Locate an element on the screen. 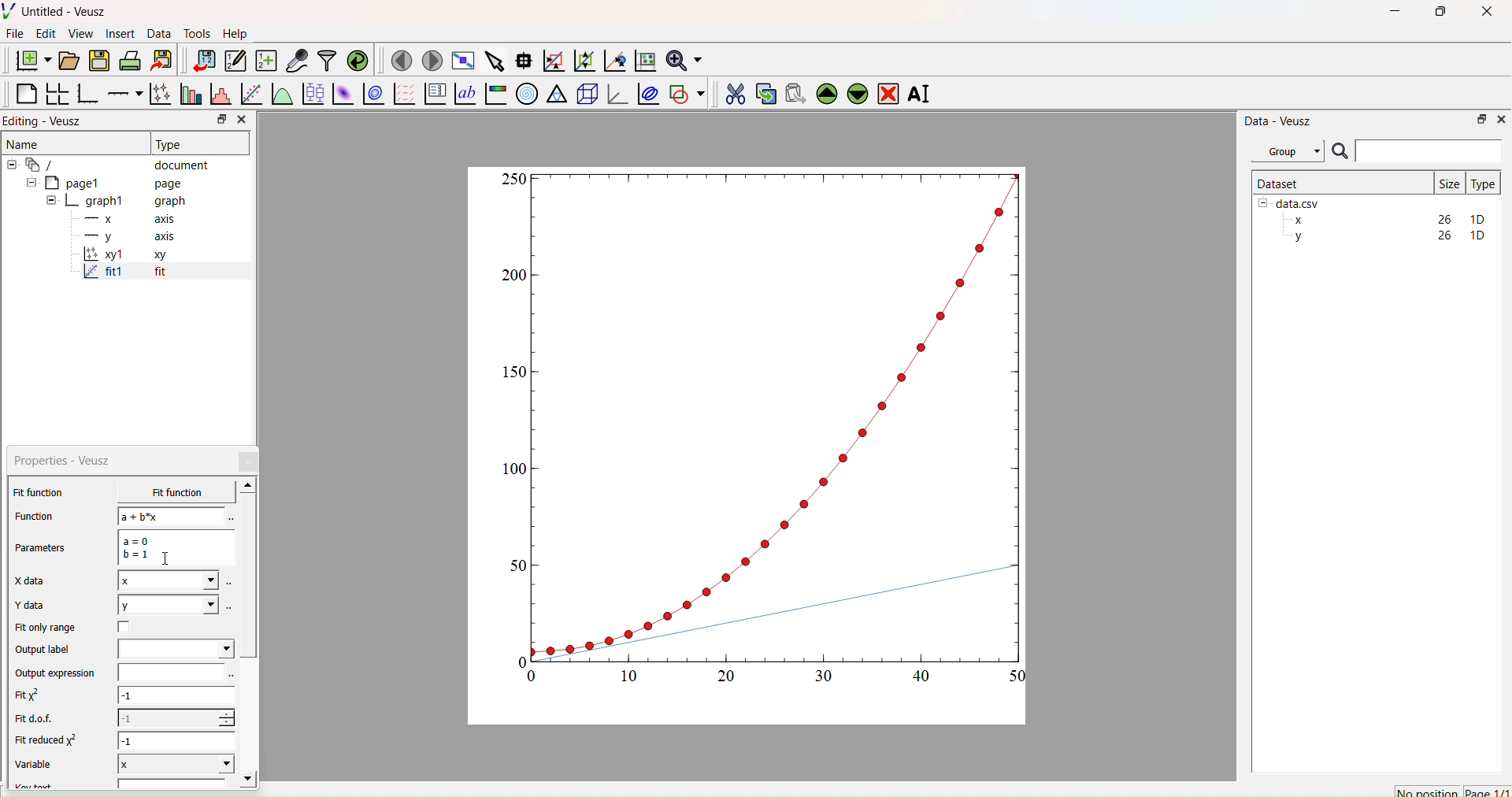  Filter data is located at coordinates (326, 60).